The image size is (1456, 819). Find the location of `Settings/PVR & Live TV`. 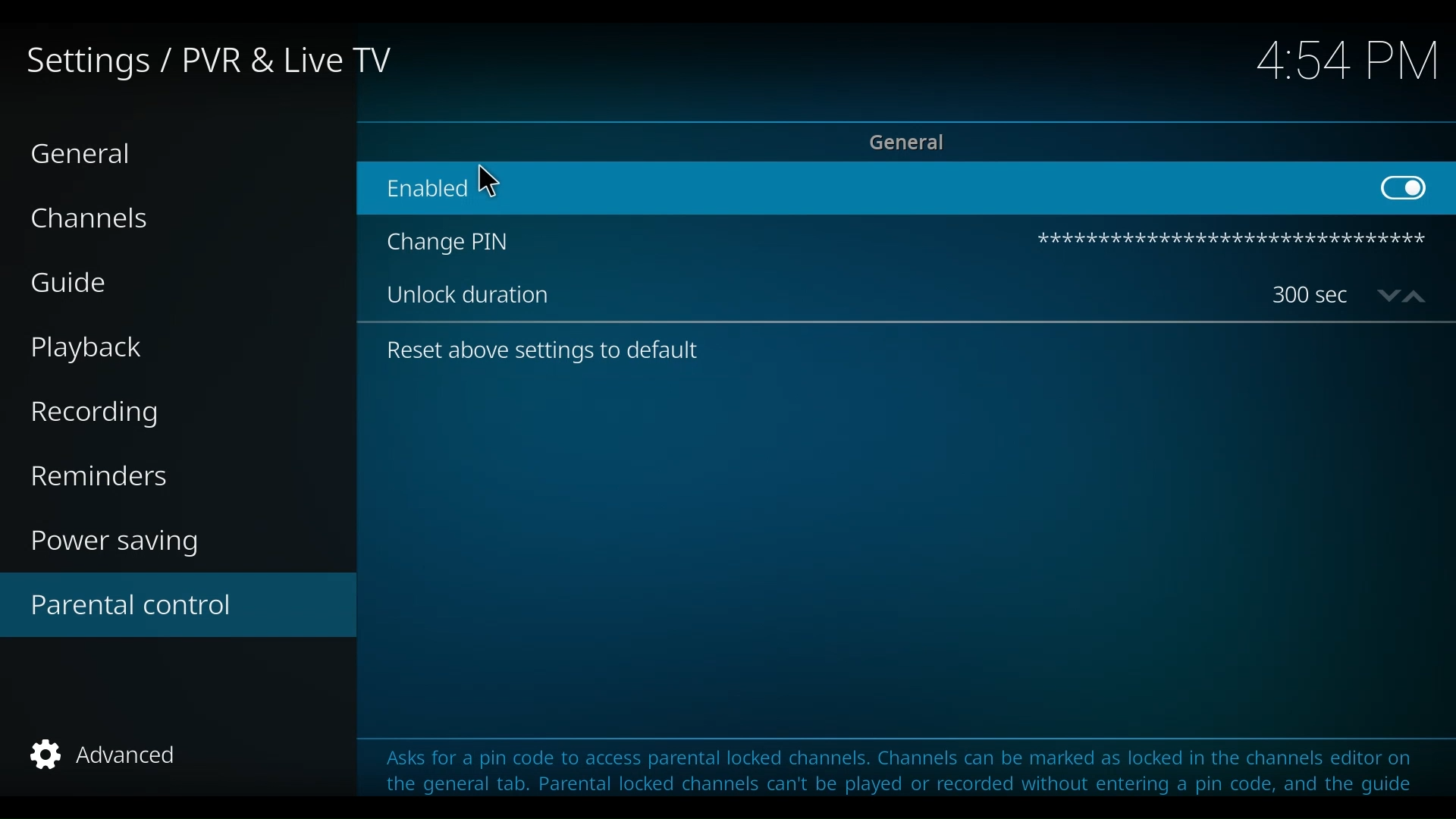

Settings/PVR & Live TV is located at coordinates (208, 62).